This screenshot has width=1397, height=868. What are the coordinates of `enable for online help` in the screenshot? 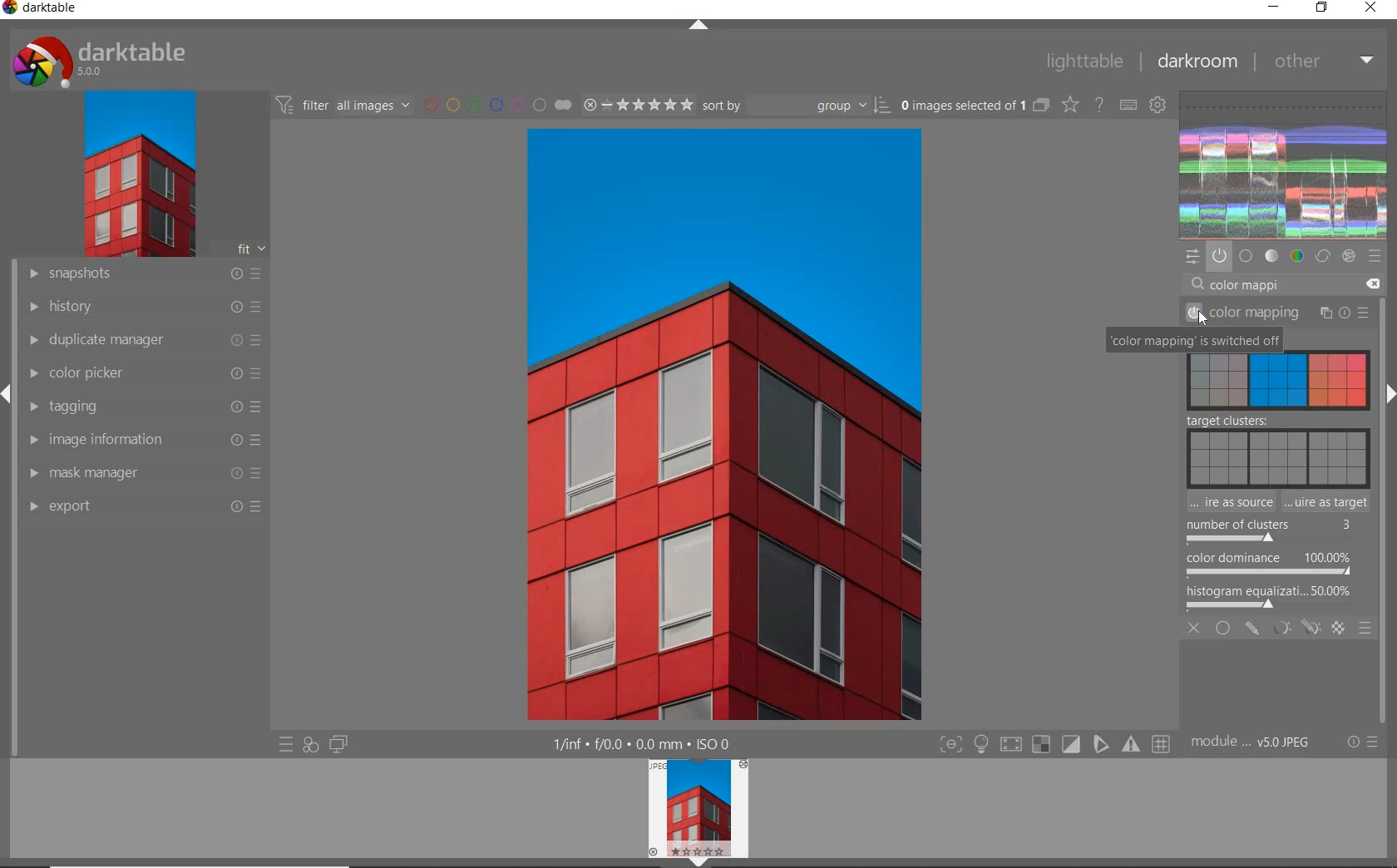 It's located at (1099, 104).